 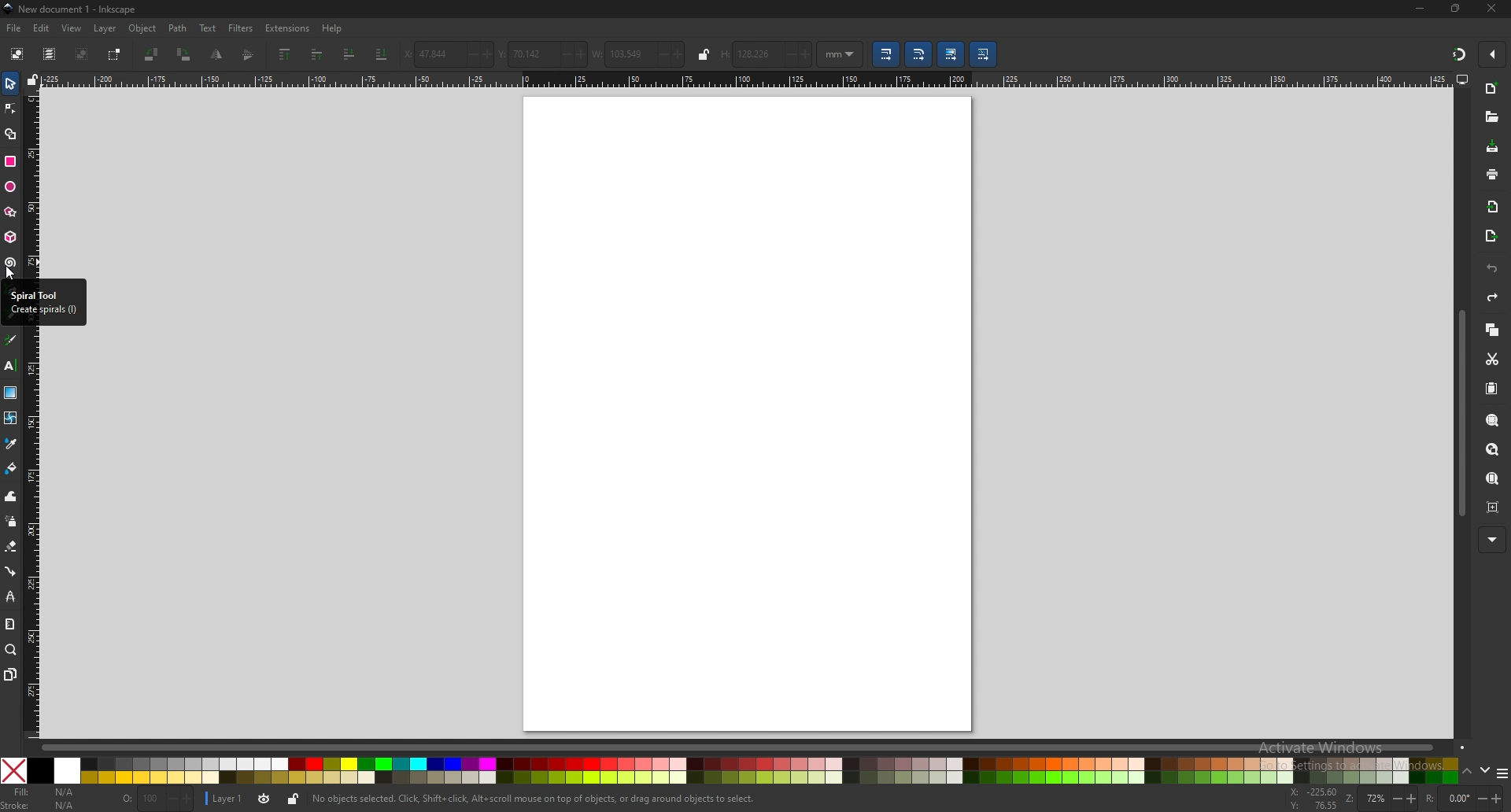 What do you see at coordinates (10, 364) in the screenshot?
I see `text` at bounding box center [10, 364].